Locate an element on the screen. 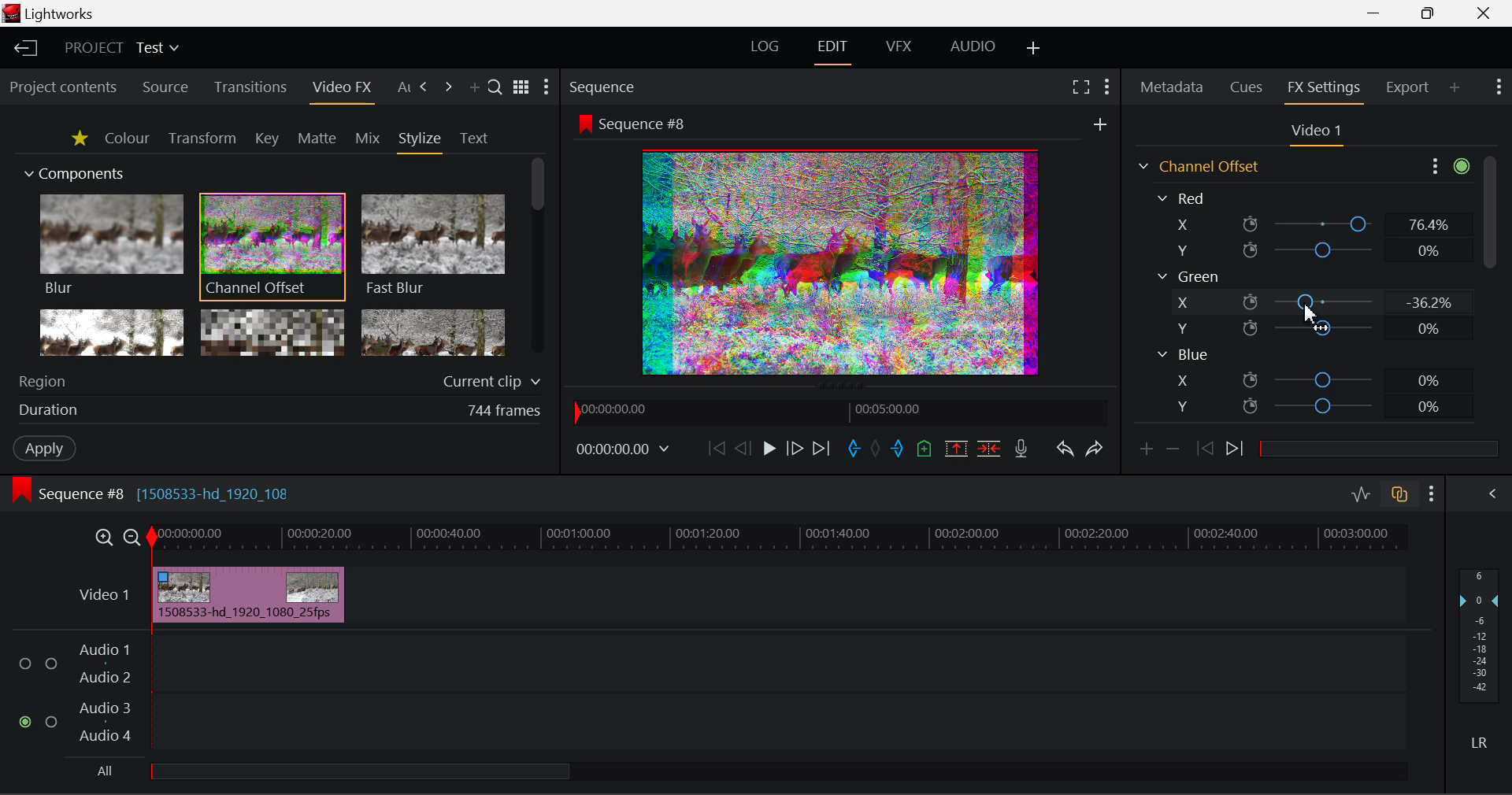 Image resolution: width=1512 pixels, height=795 pixels. Show Settings is located at coordinates (1447, 167).